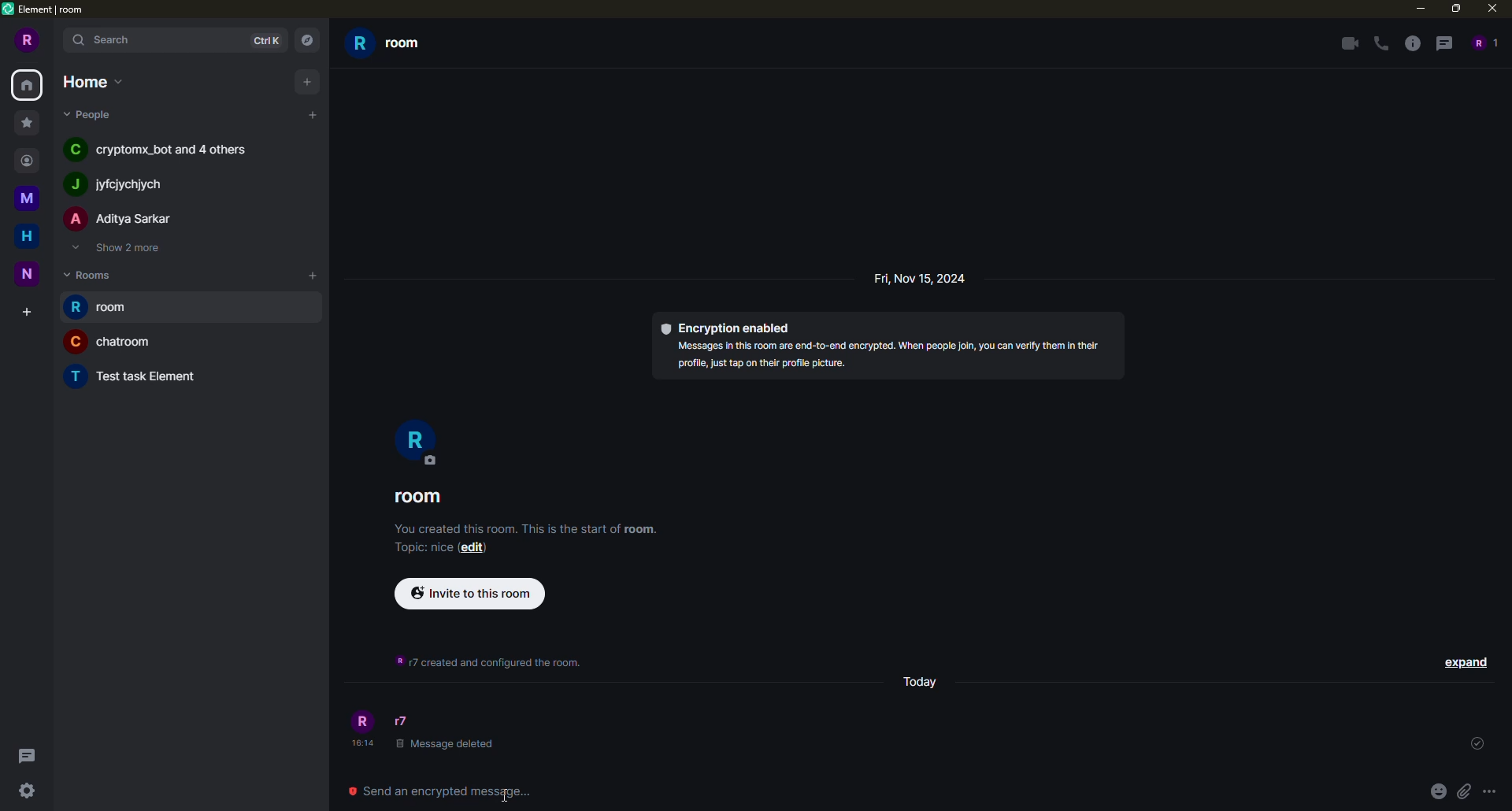  What do you see at coordinates (25, 121) in the screenshot?
I see `favorite` at bounding box center [25, 121].